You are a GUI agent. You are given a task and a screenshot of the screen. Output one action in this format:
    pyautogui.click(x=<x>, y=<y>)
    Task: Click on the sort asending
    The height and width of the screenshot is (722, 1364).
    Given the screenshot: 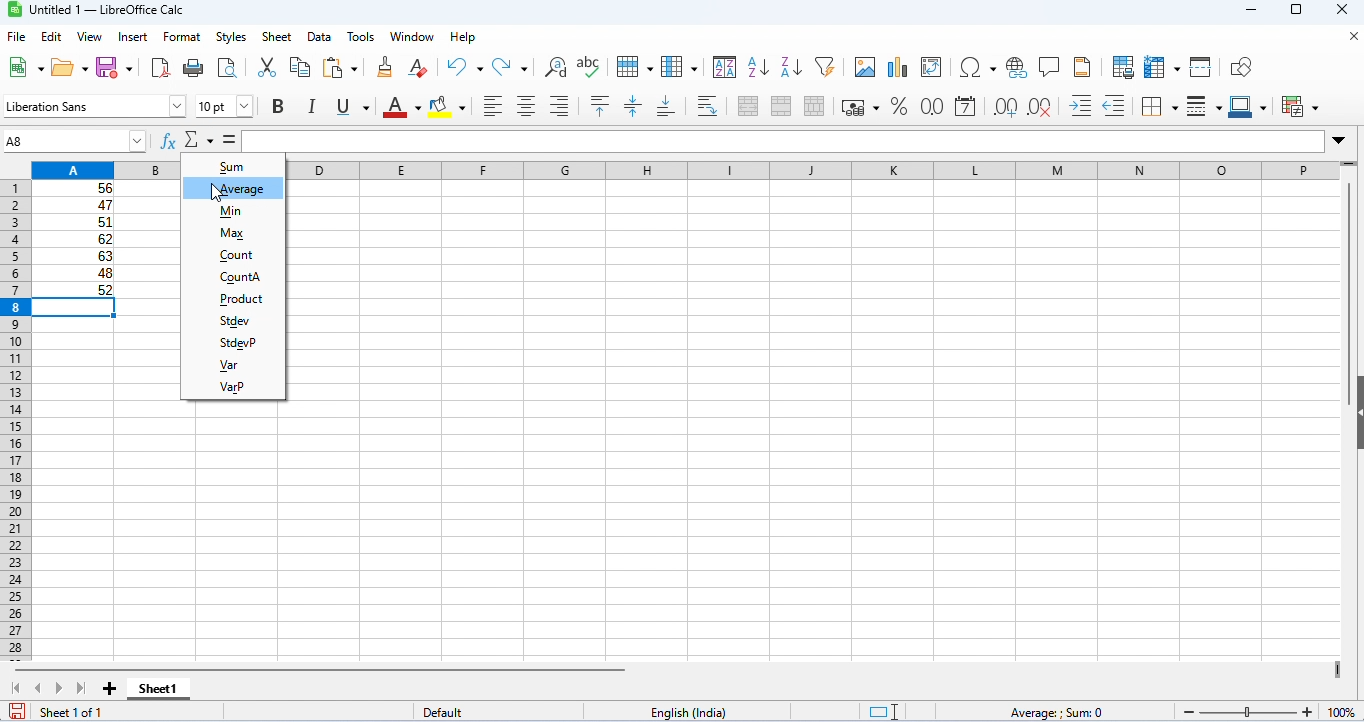 What is the action you would take?
    pyautogui.click(x=757, y=66)
    